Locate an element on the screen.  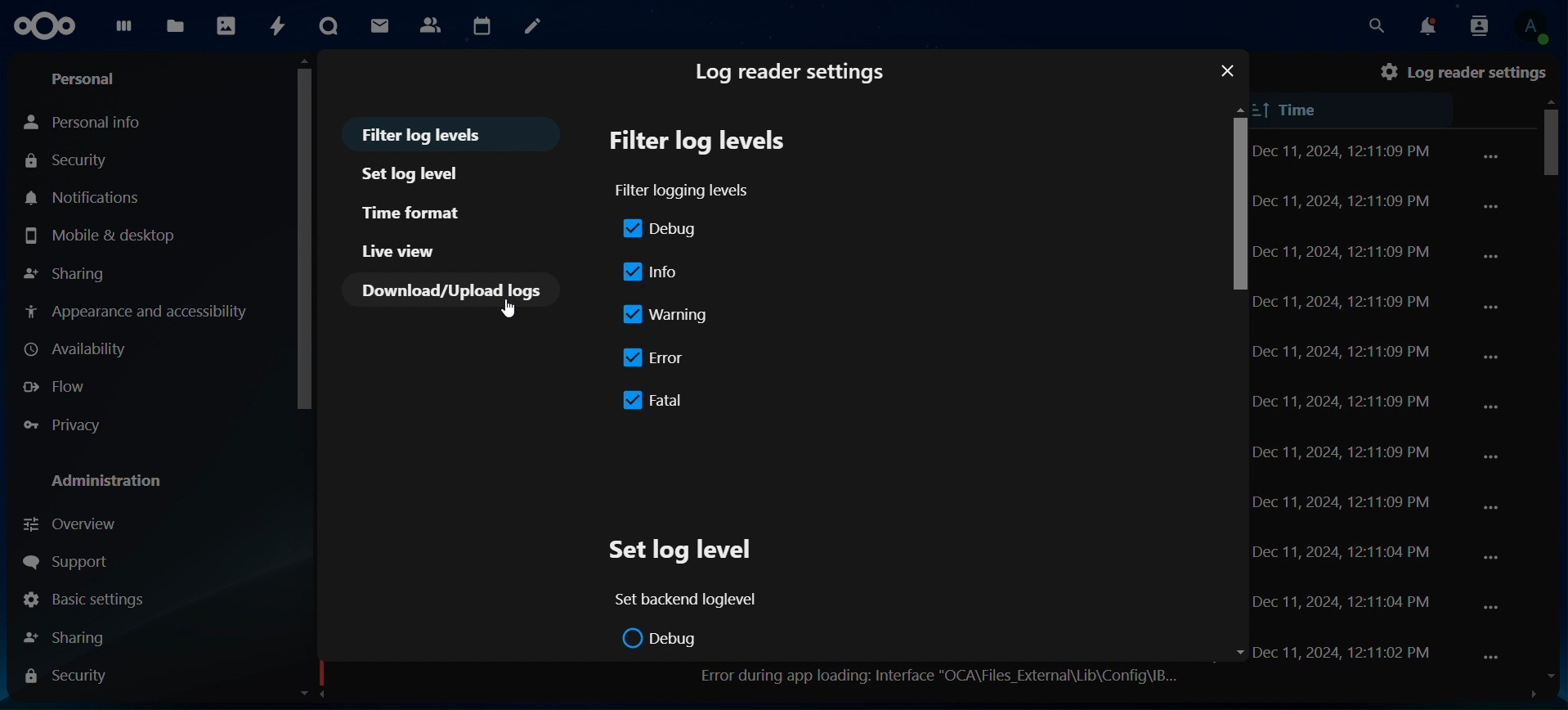
scrollbar is located at coordinates (305, 231).